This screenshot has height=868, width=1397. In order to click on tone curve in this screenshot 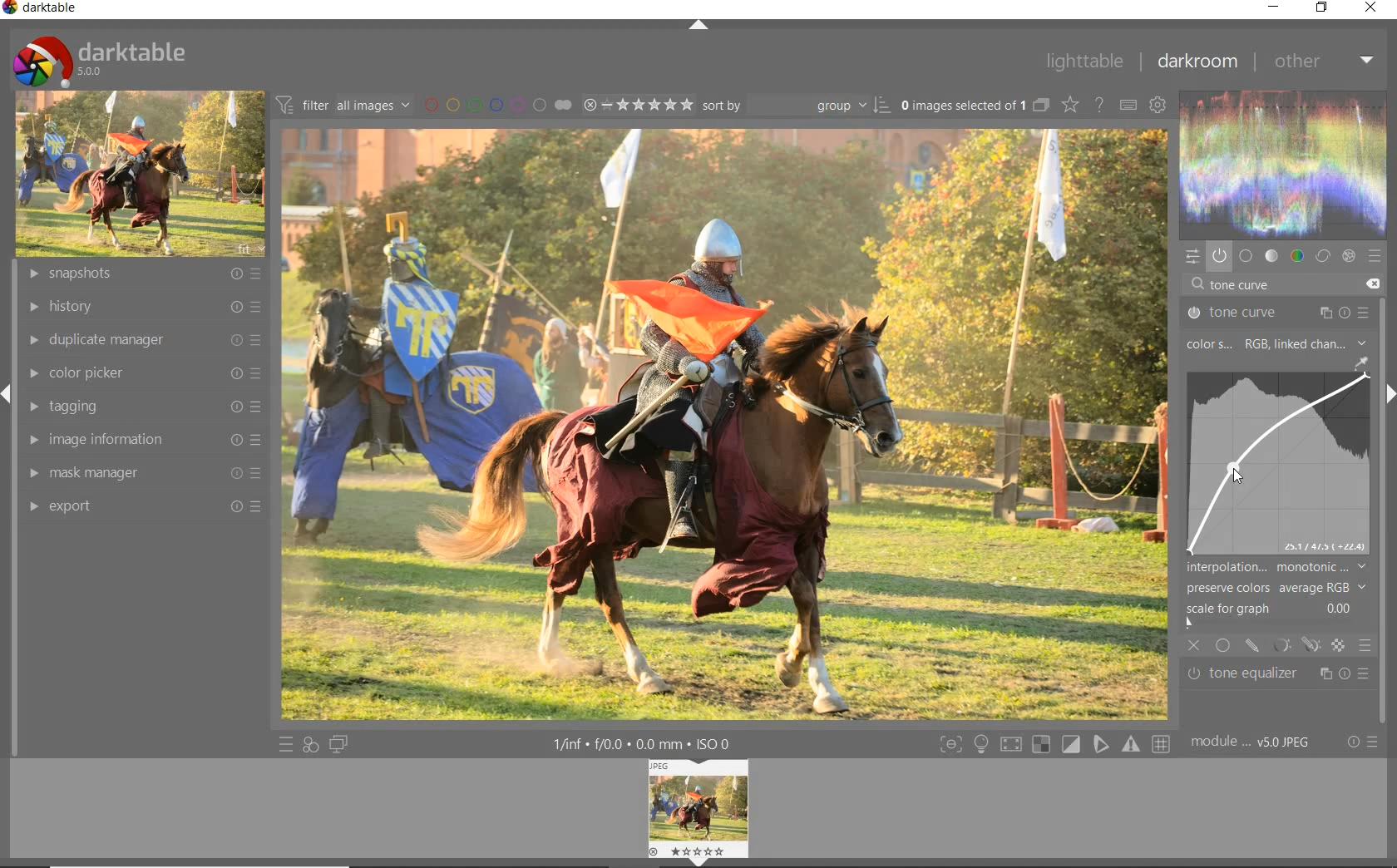, I will do `click(1283, 462)`.